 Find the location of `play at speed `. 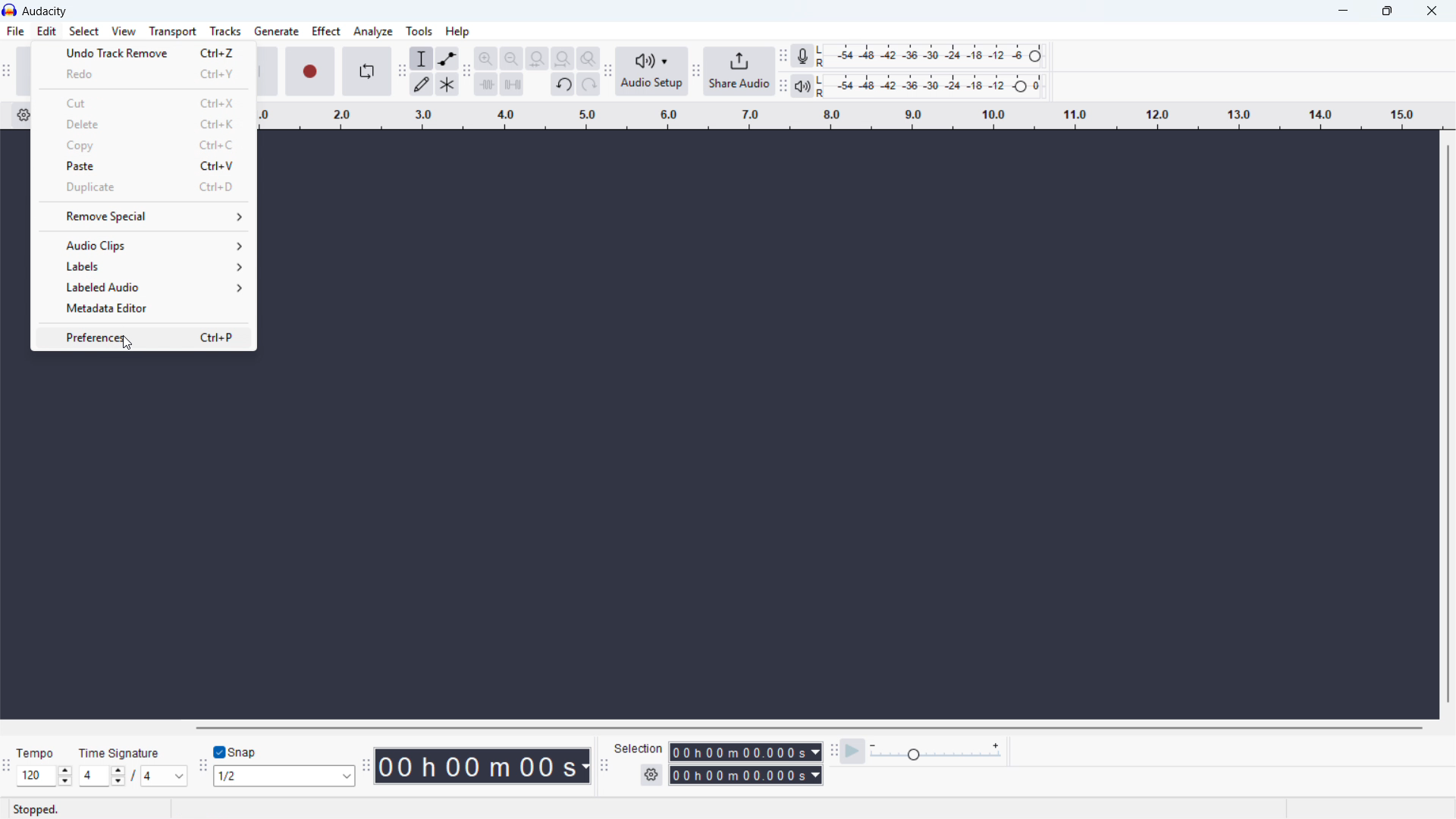

play at speed  is located at coordinates (852, 752).